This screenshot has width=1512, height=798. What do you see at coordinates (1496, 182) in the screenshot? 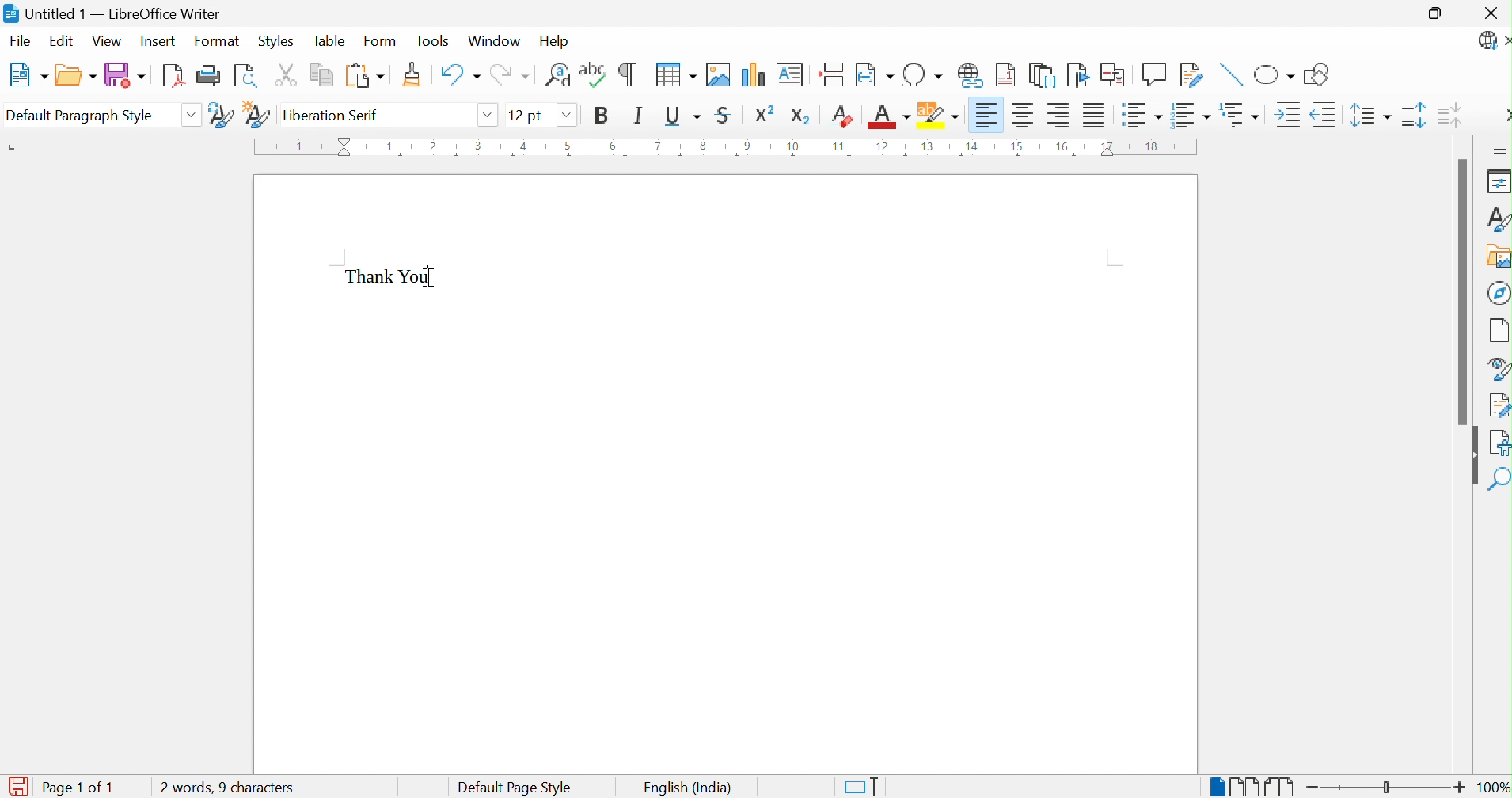
I see `Properties` at bounding box center [1496, 182].